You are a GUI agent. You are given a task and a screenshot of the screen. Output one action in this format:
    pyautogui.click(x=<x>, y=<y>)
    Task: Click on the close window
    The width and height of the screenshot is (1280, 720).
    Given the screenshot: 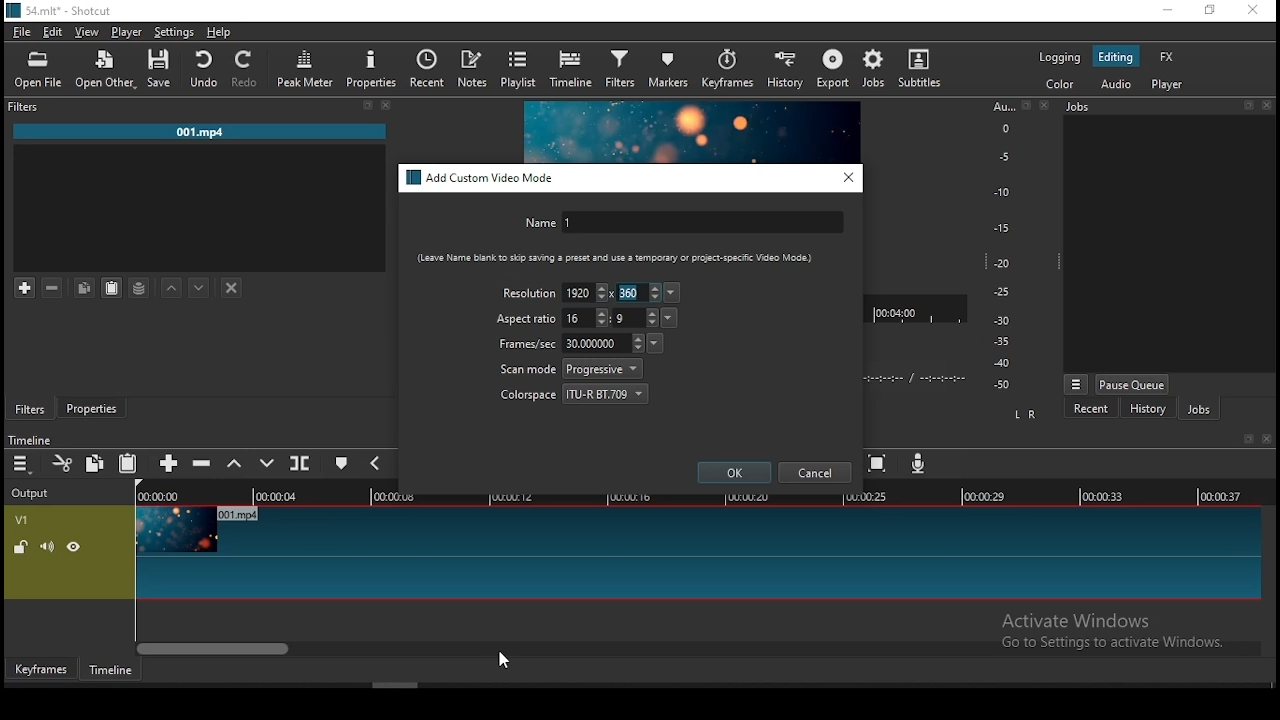 What is the action you would take?
    pyautogui.click(x=1252, y=11)
    